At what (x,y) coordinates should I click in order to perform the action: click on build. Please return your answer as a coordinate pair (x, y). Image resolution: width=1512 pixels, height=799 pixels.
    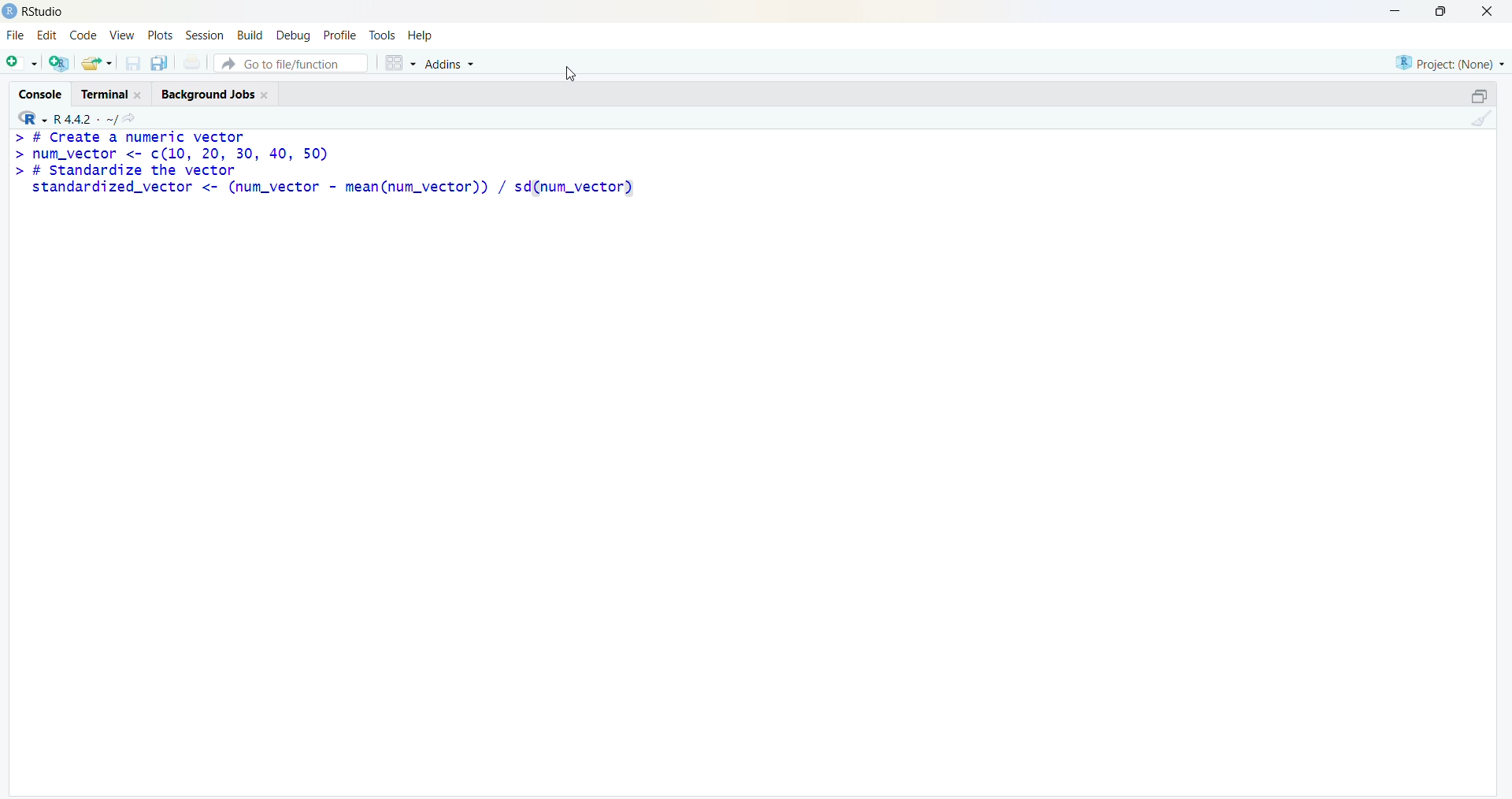
    Looking at the image, I should click on (250, 35).